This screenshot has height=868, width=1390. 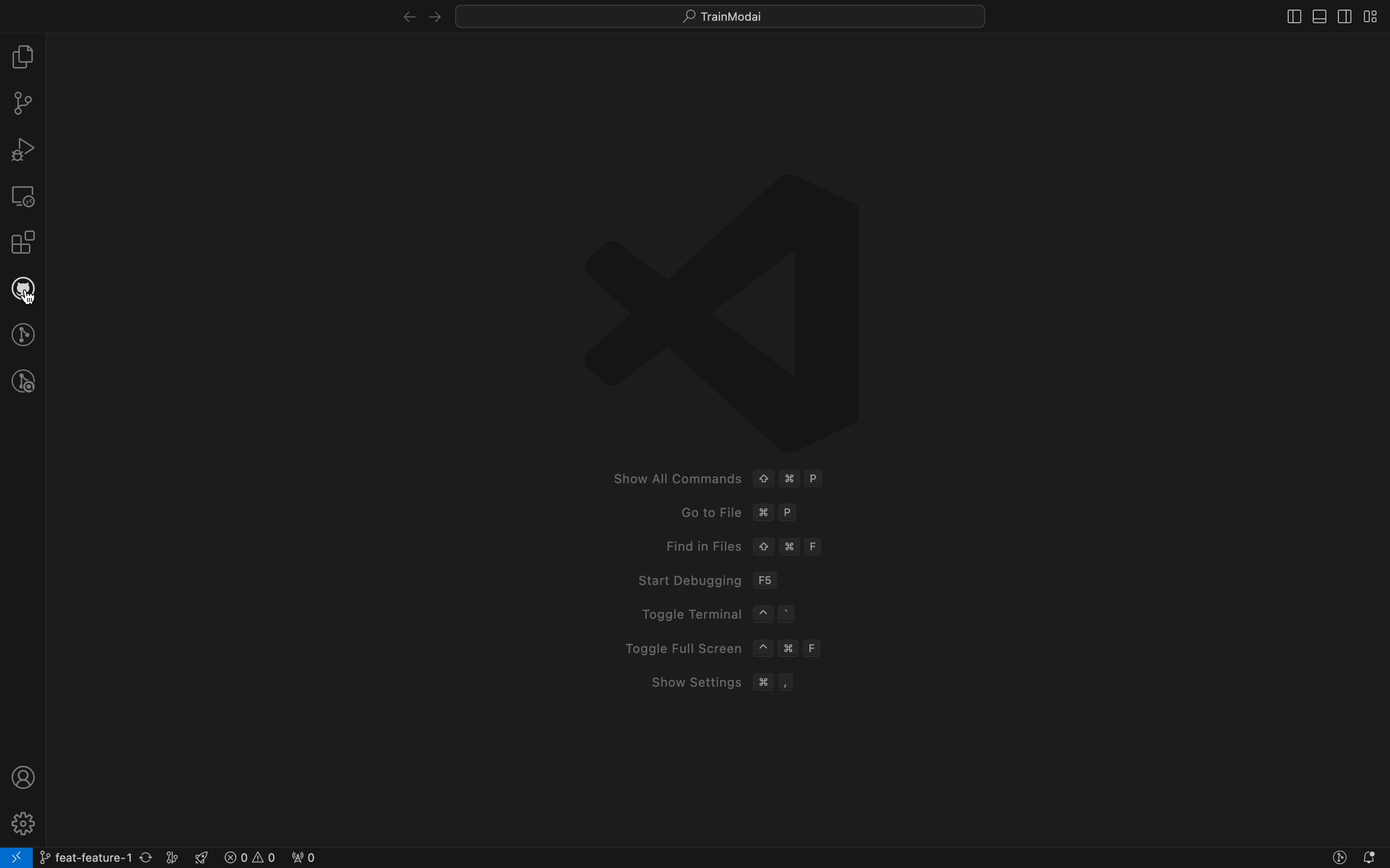 What do you see at coordinates (1278, 18) in the screenshot?
I see `toggle side bar` at bounding box center [1278, 18].